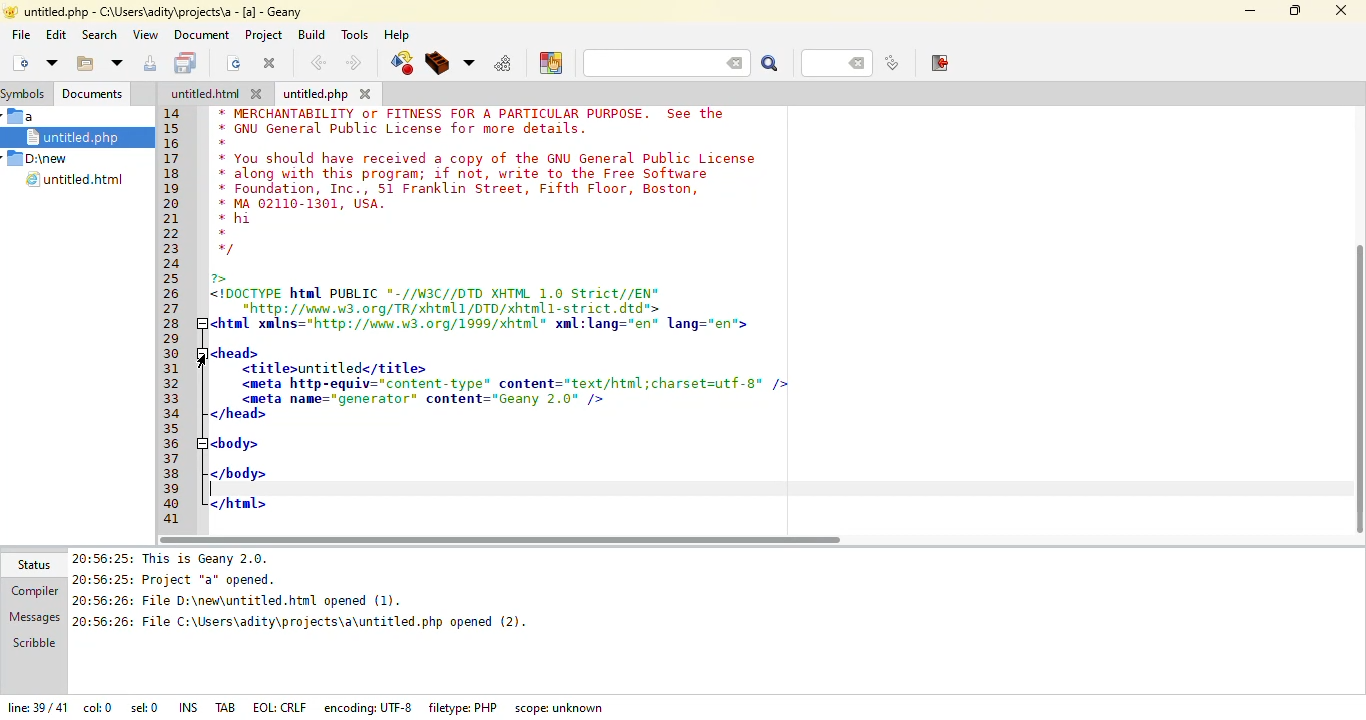 The width and height of the screenshot is (1366, 720). What do you see at coordinates (56, 34) in the screenshot?
I see `edit` at bounding box center [56, 34].